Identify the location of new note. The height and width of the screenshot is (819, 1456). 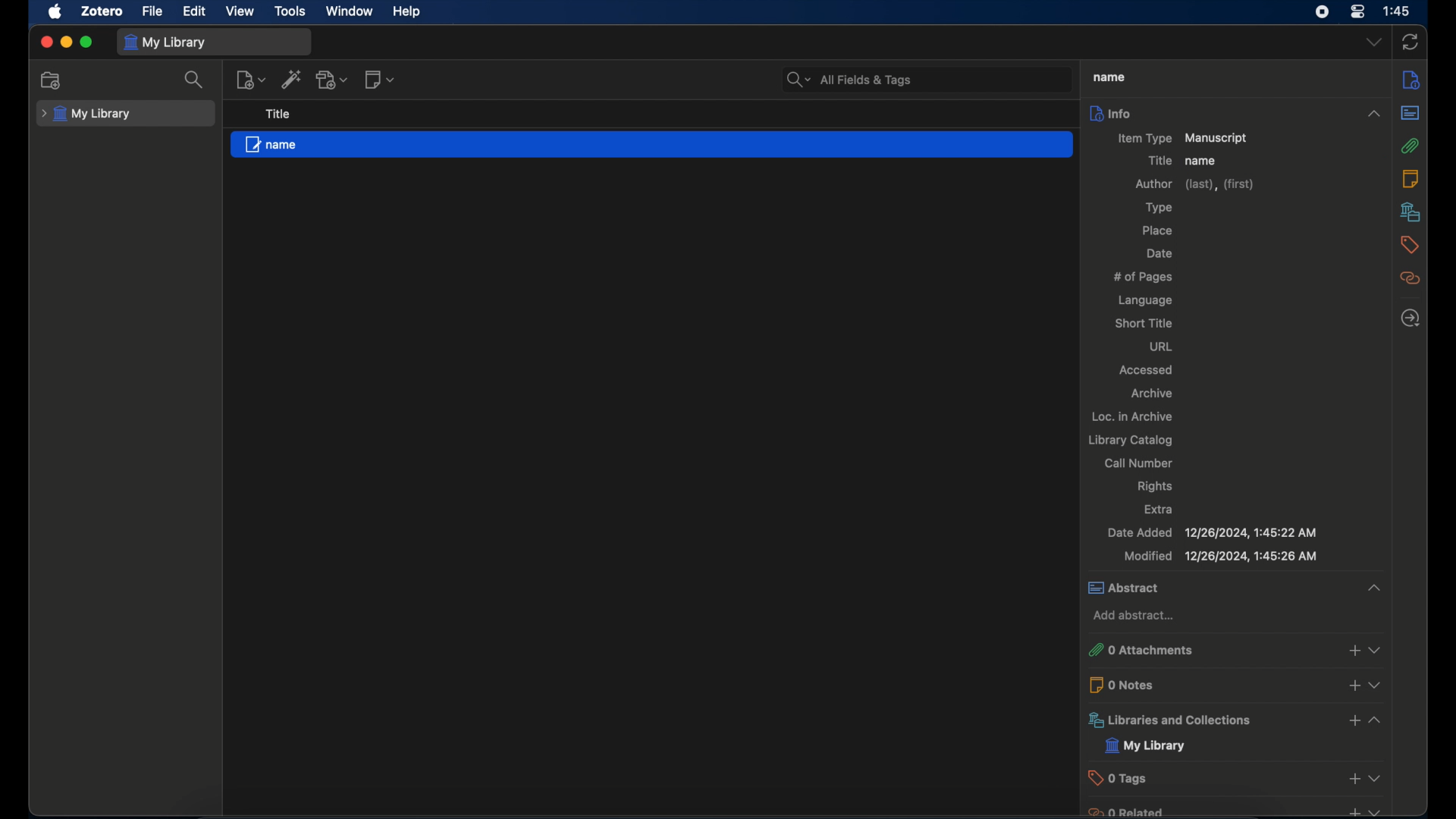
(381, 79).